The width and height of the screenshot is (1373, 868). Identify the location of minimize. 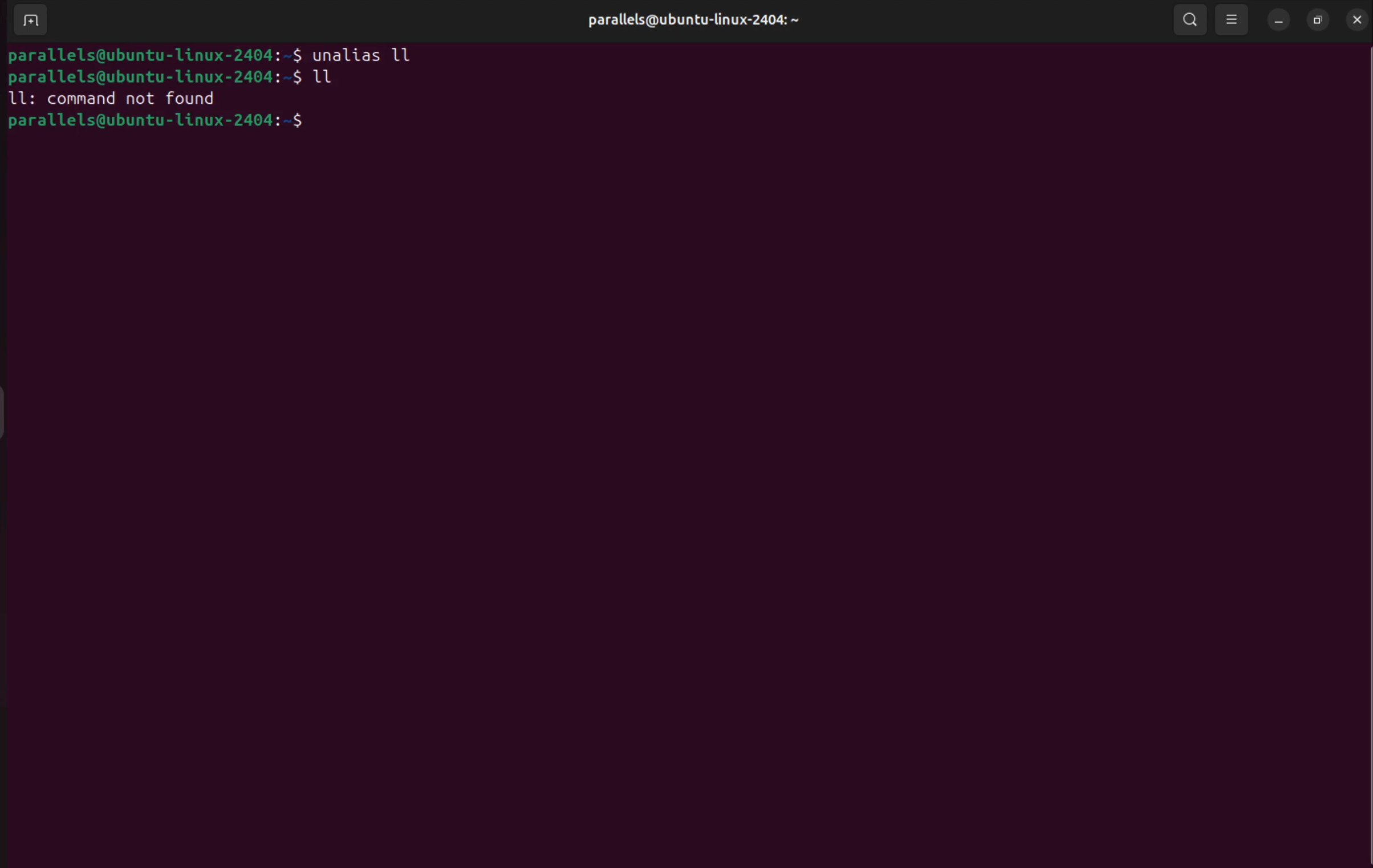
(1279, 19).